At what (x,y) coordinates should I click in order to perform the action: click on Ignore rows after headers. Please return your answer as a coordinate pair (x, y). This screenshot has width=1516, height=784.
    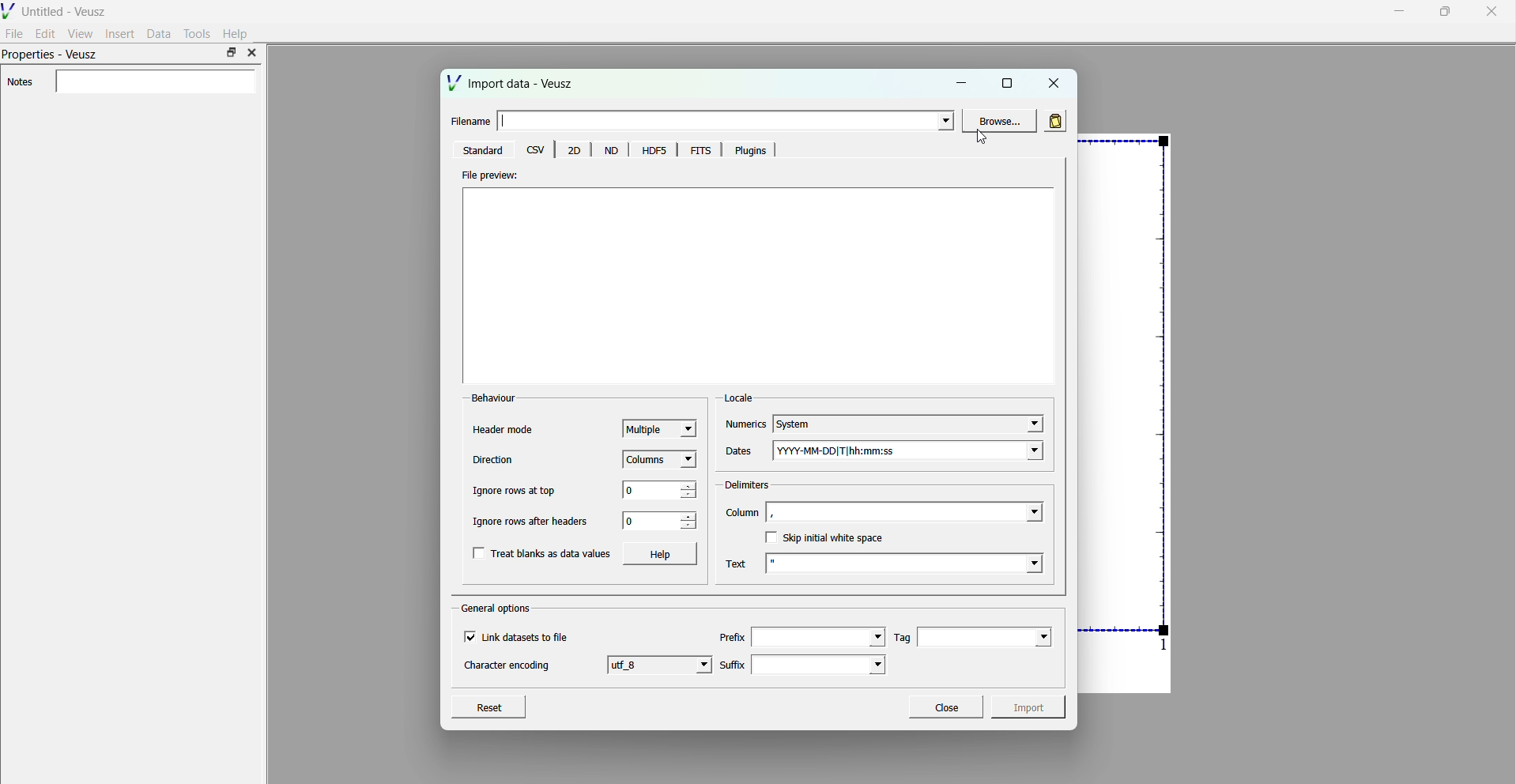
    Looking at the image, I should click on (534, 522).